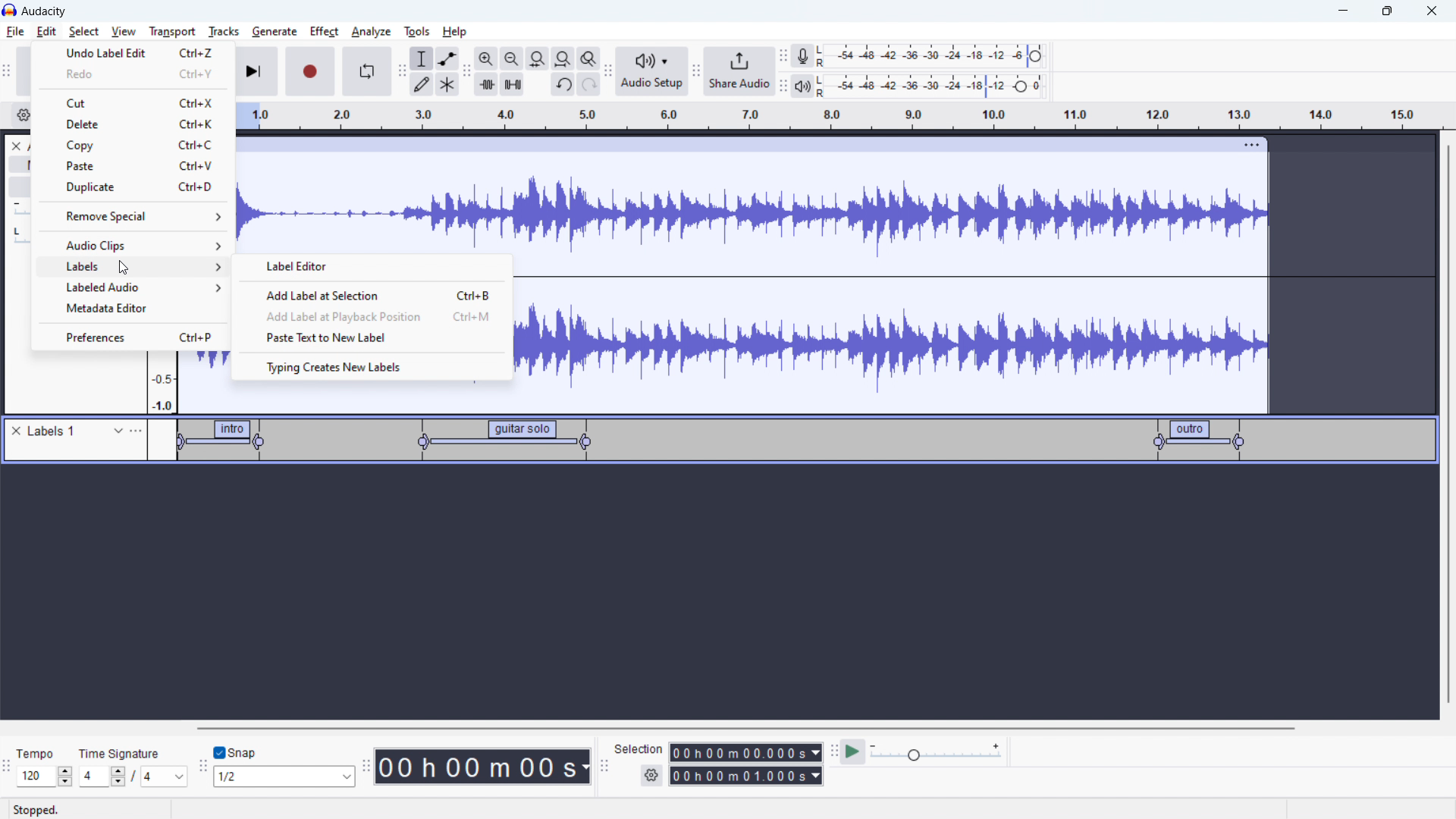 This screenshot has width=1456, height=819. What do you see at coordinates (11, 74) in the screenshot?
I see `transport toolbar` at bounding box center [11, 74].